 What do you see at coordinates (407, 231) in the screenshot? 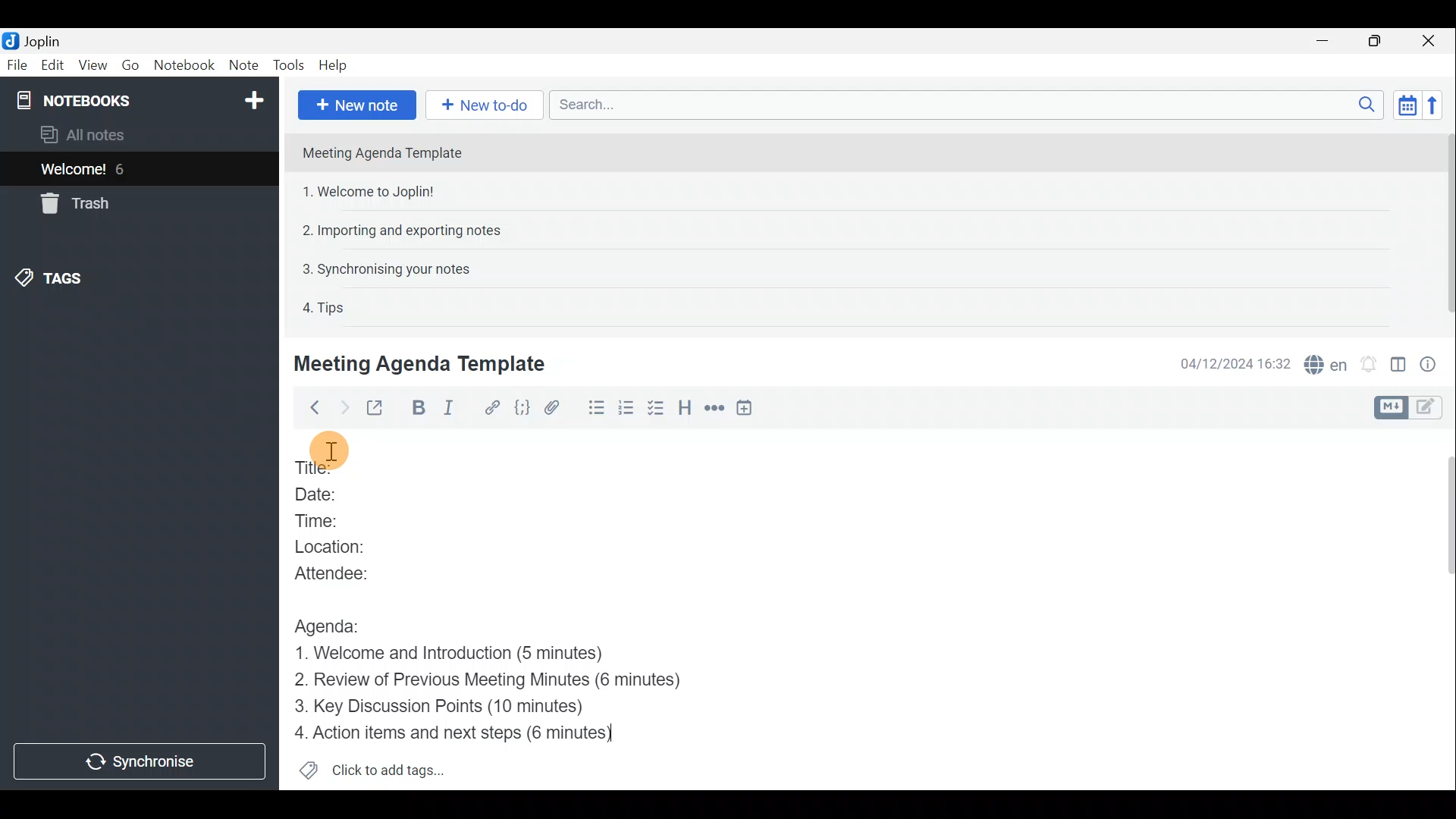
I see `2. Importing and exporting notes` at bounding box center [407, 231].